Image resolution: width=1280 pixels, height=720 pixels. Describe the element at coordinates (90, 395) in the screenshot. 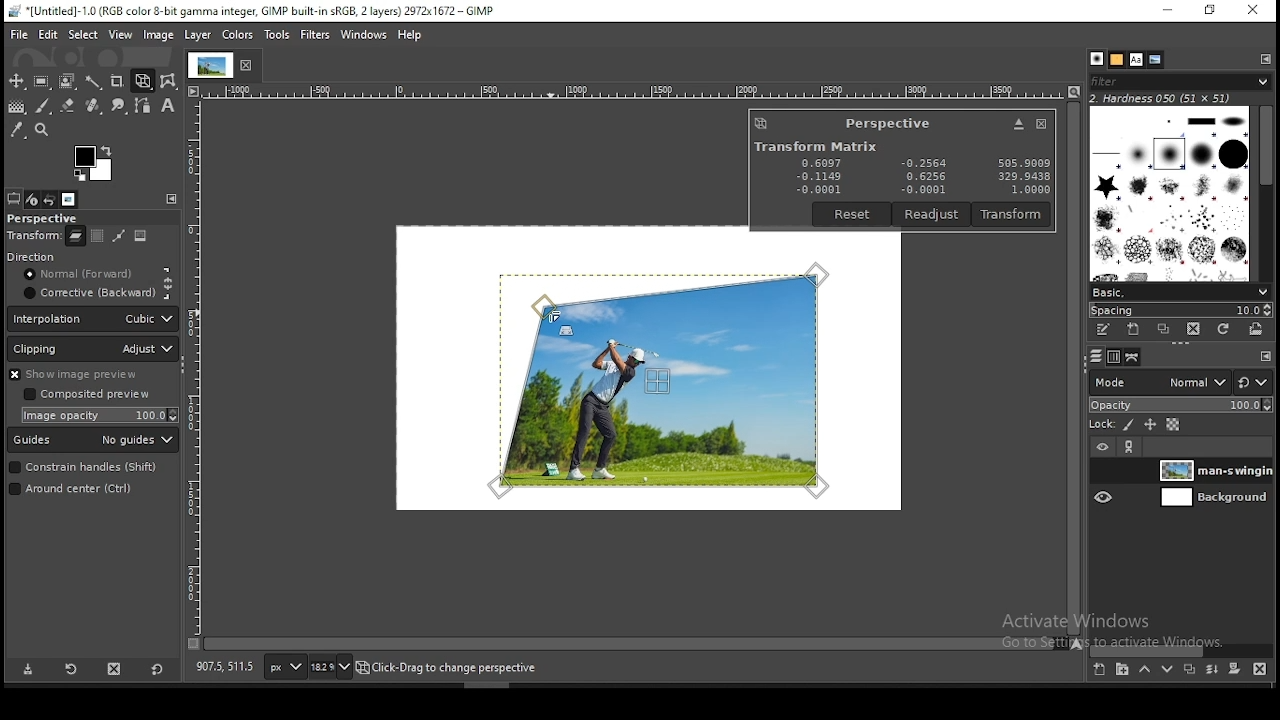

I see `composite preview` at that location.